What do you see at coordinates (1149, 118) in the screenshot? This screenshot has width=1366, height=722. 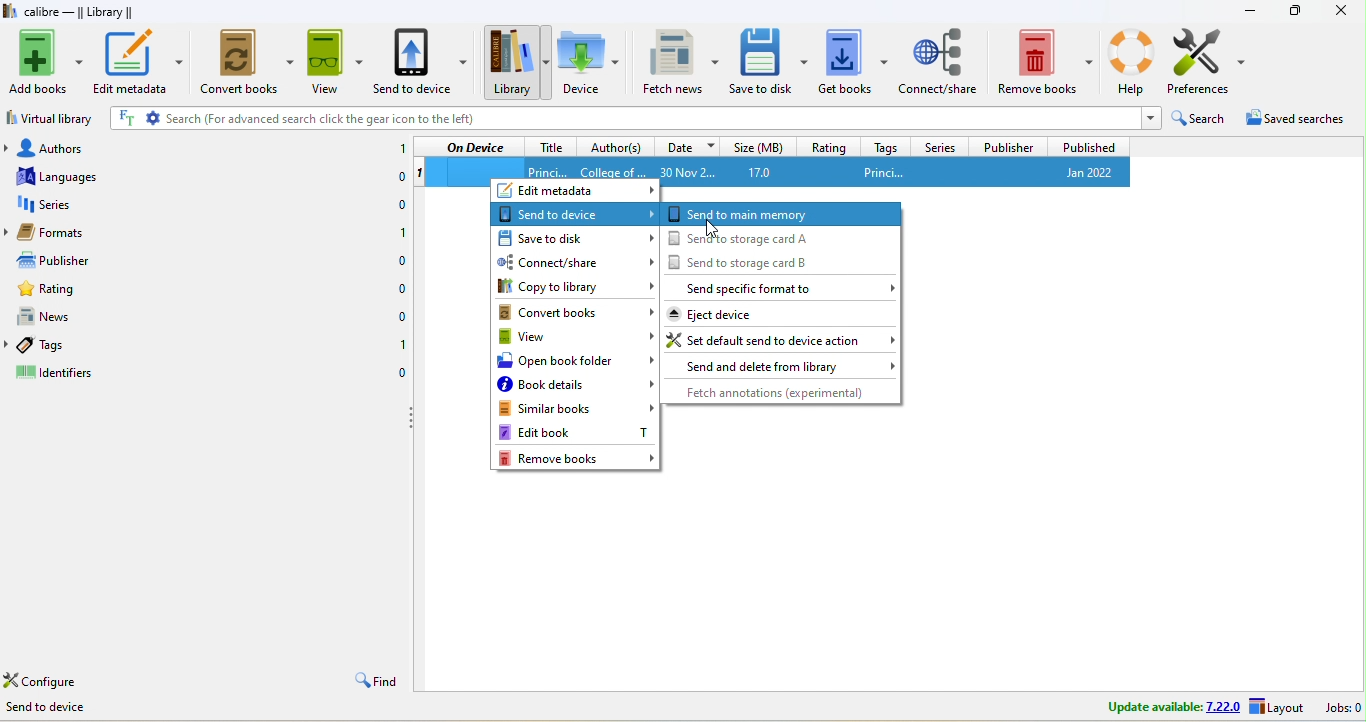 I see `dropdown` at bounding box center [1149, 118].